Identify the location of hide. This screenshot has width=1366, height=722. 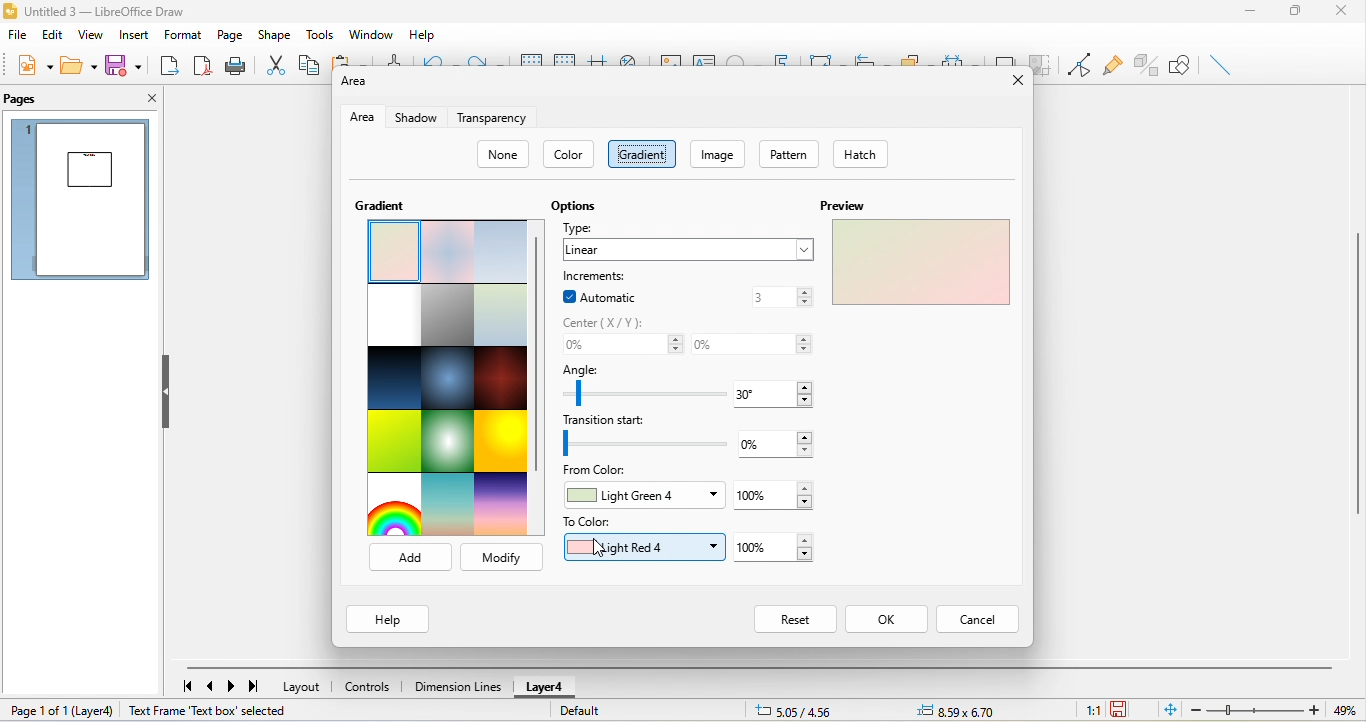
(171, 390).